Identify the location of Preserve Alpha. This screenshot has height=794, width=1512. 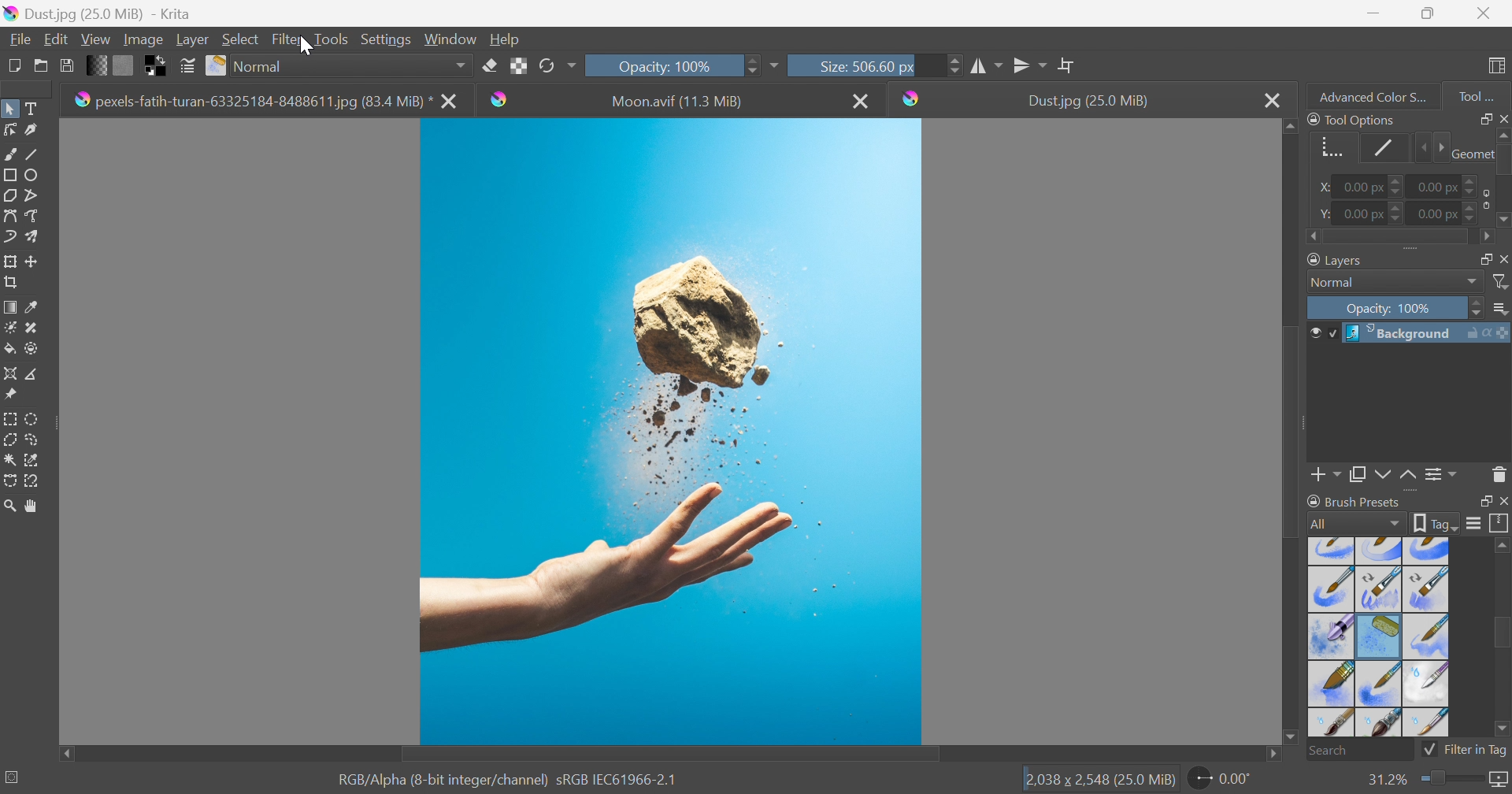
(519, 65).